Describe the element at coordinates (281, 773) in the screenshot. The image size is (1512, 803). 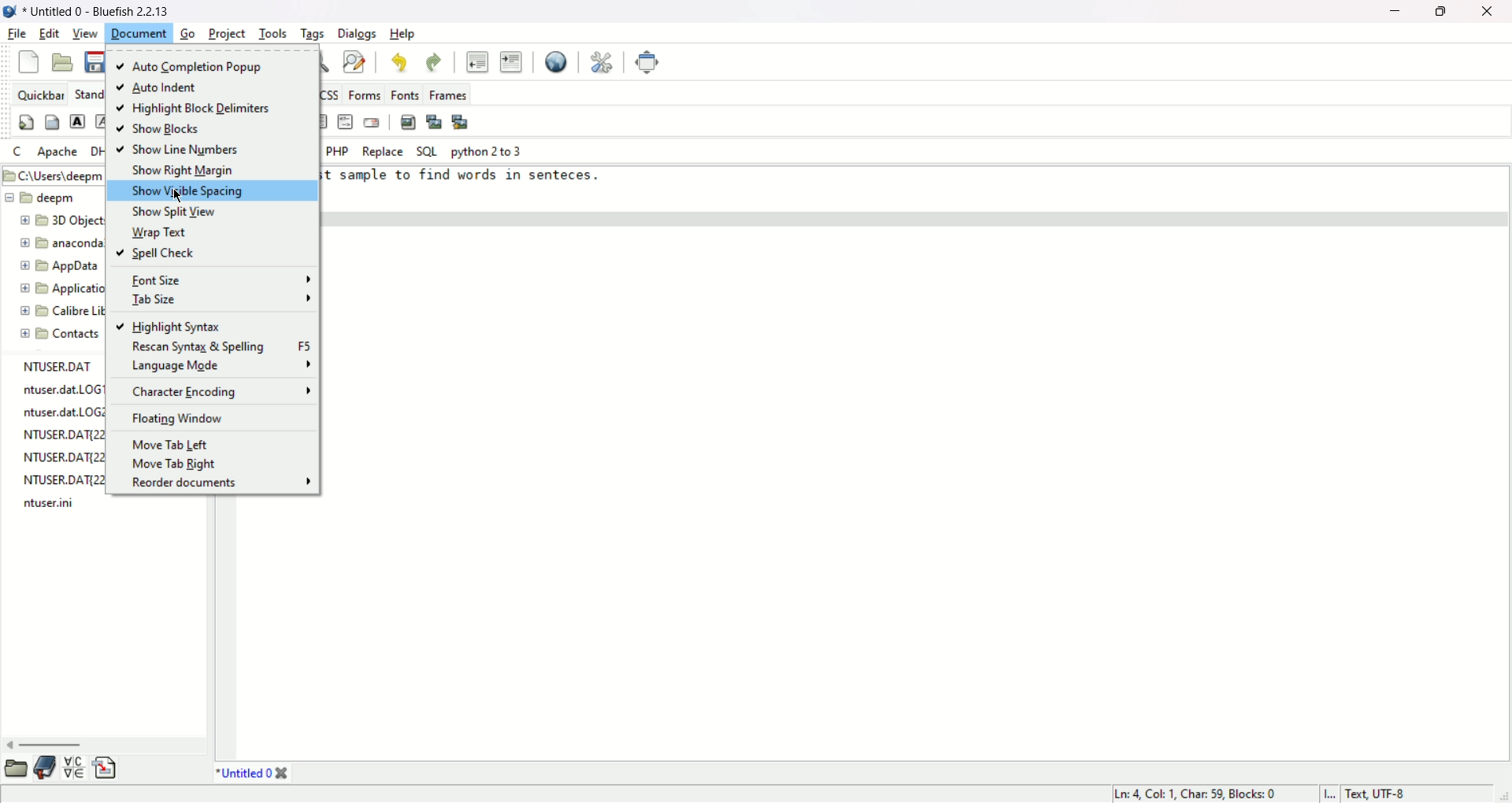
I see `Close tab` at that location.